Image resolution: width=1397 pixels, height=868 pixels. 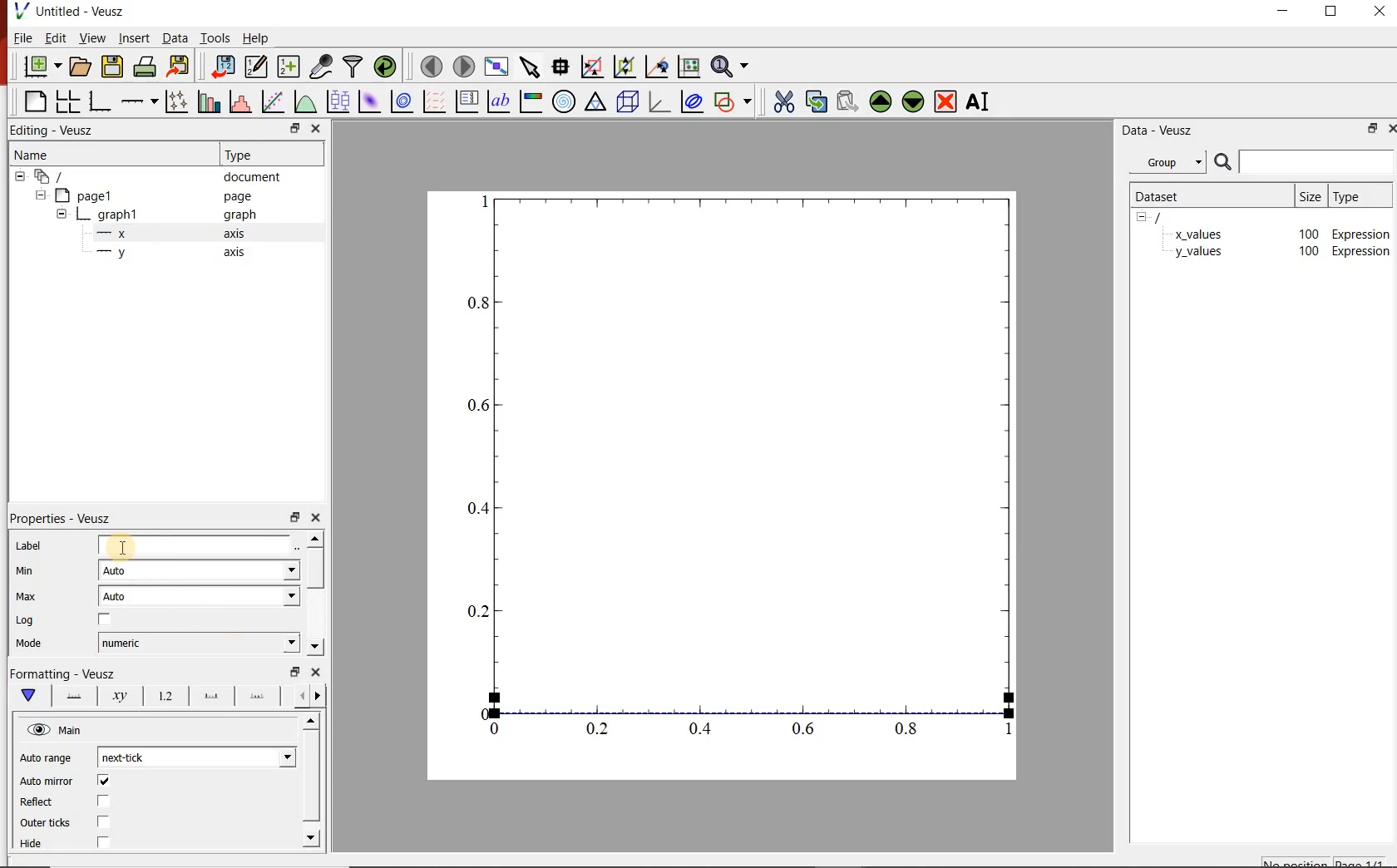 I want to click on polar graph, so click(x=565, y=103).